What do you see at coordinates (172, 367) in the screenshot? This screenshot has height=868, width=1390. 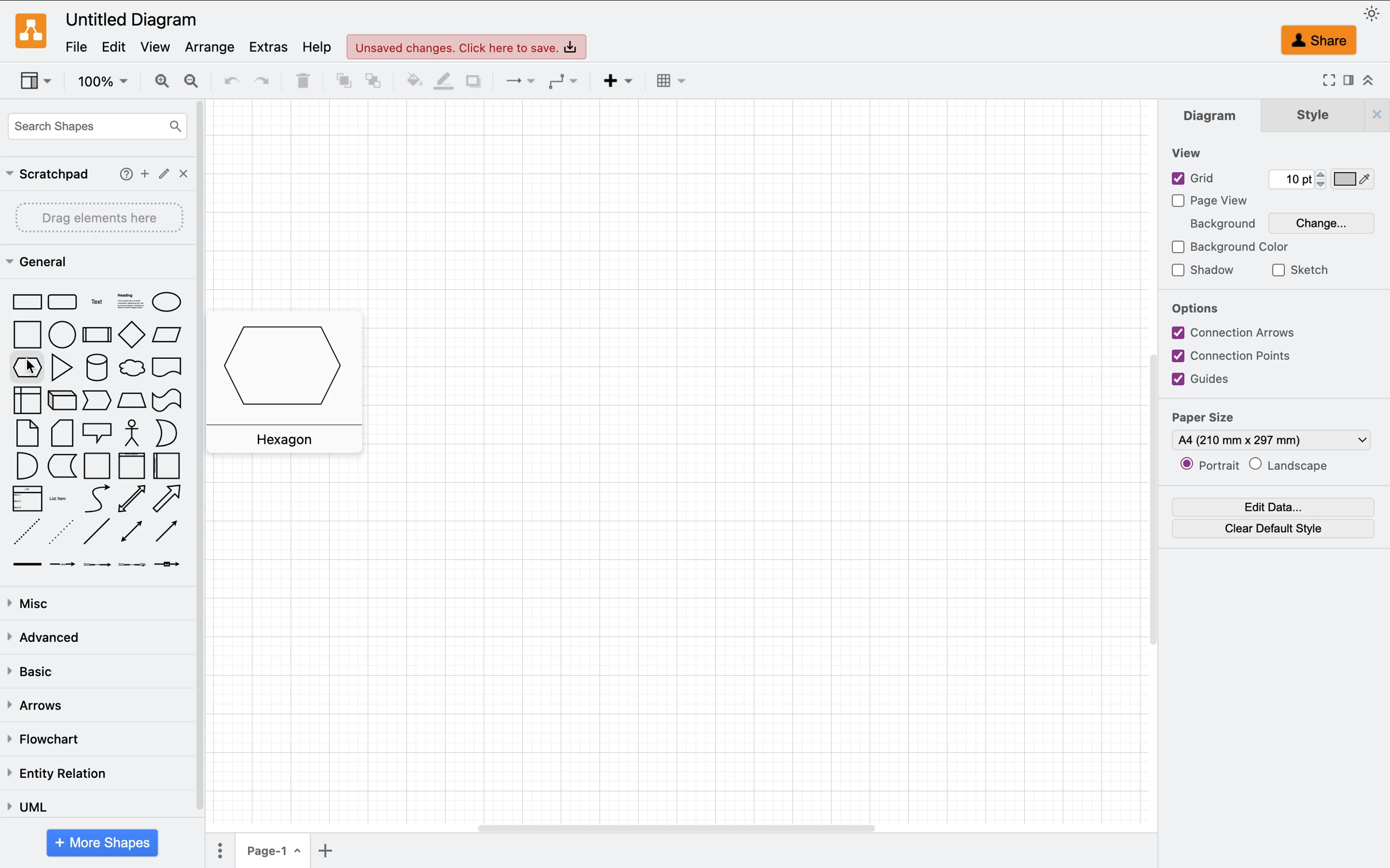 I see `document` at bounding box center [172, 367].